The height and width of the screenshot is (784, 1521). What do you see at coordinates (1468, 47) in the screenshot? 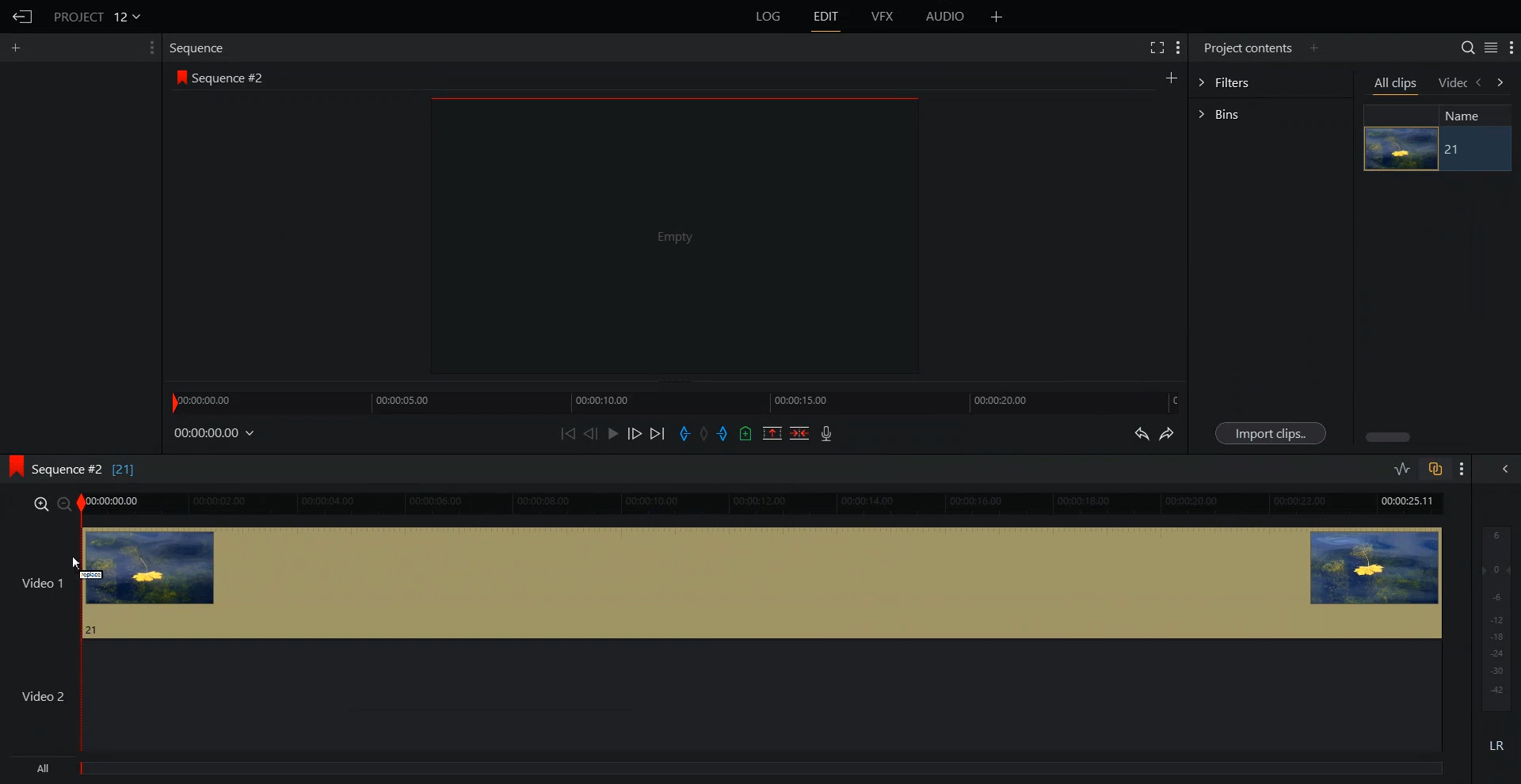
I see `Search` at bounding box center [1468, 47].